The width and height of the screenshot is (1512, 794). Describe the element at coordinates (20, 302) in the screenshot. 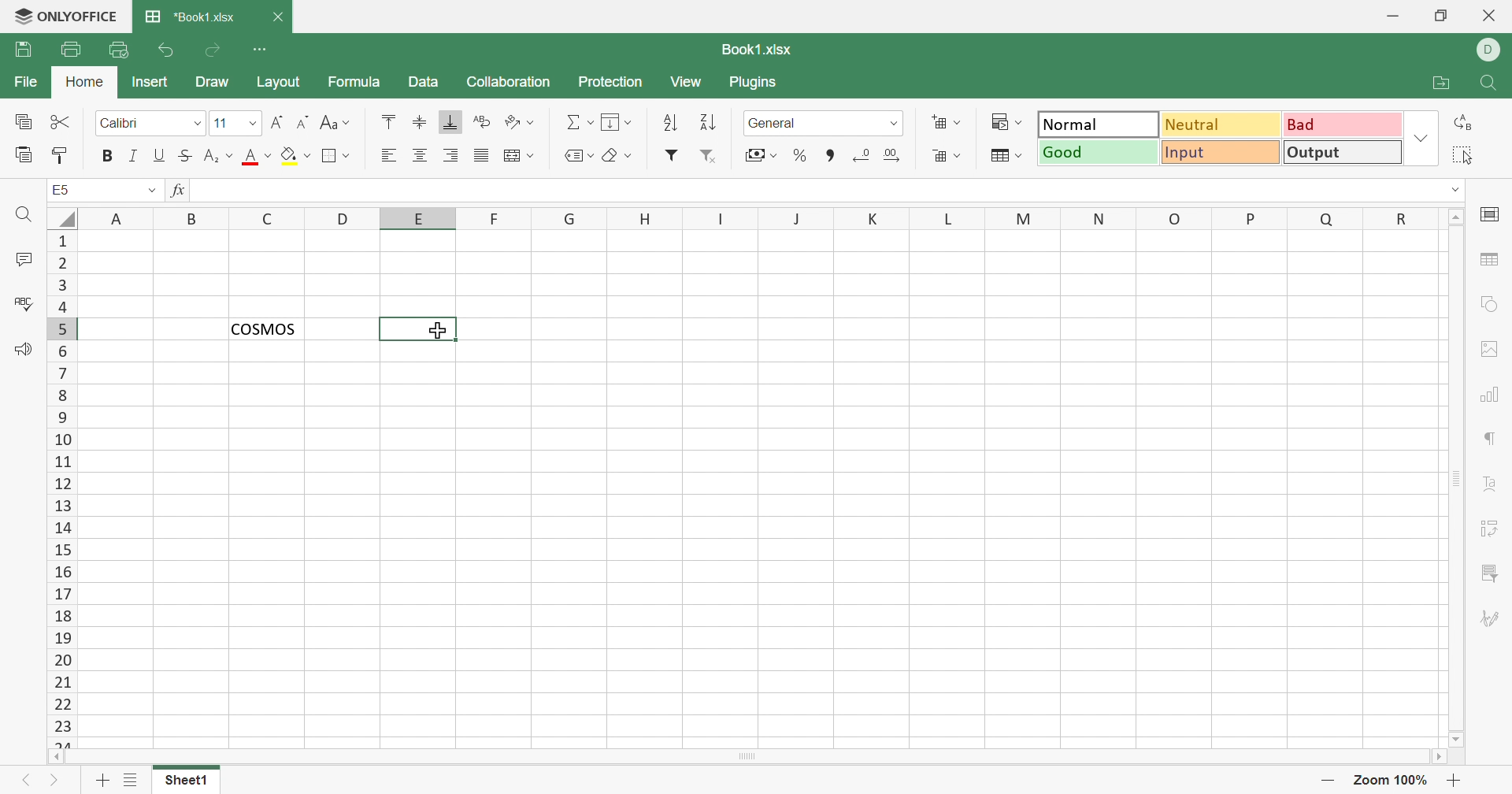

I see `Check spelling` at that location.